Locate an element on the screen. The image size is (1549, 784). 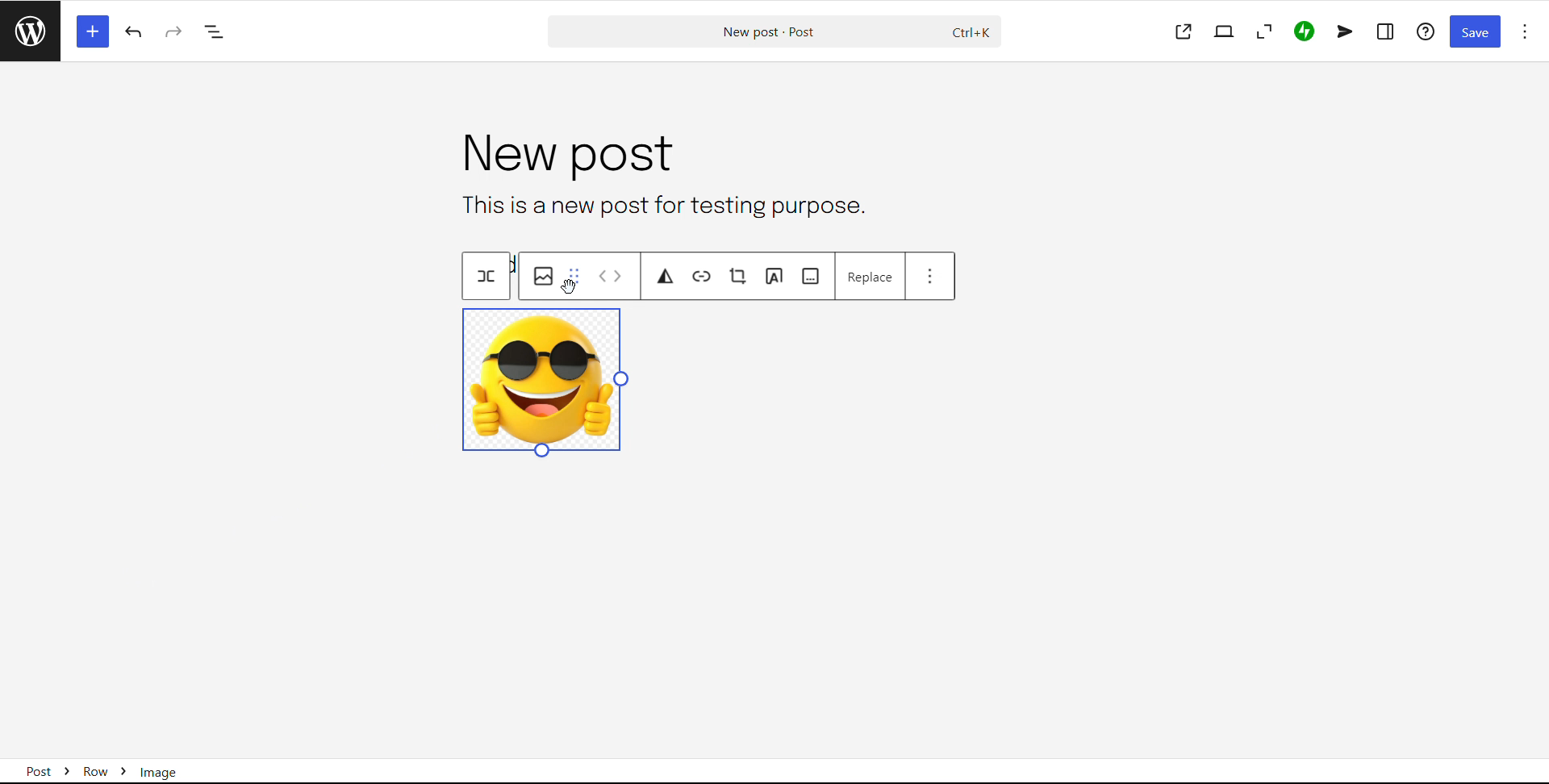
block inserter is located at coordinates (91, 31).